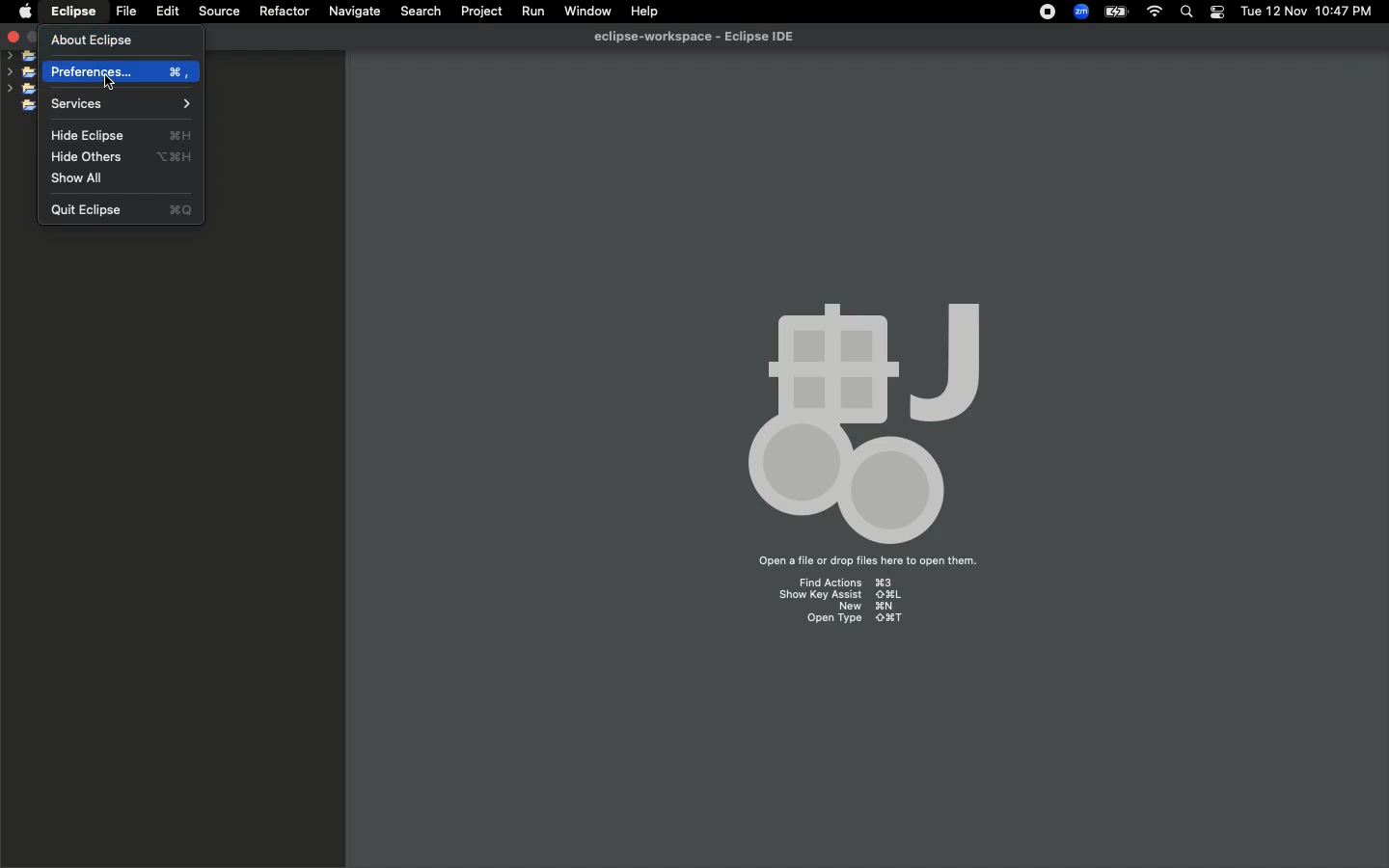 This screenshot has height=868, width=1389. I want to click on Services, so click(121, 105).